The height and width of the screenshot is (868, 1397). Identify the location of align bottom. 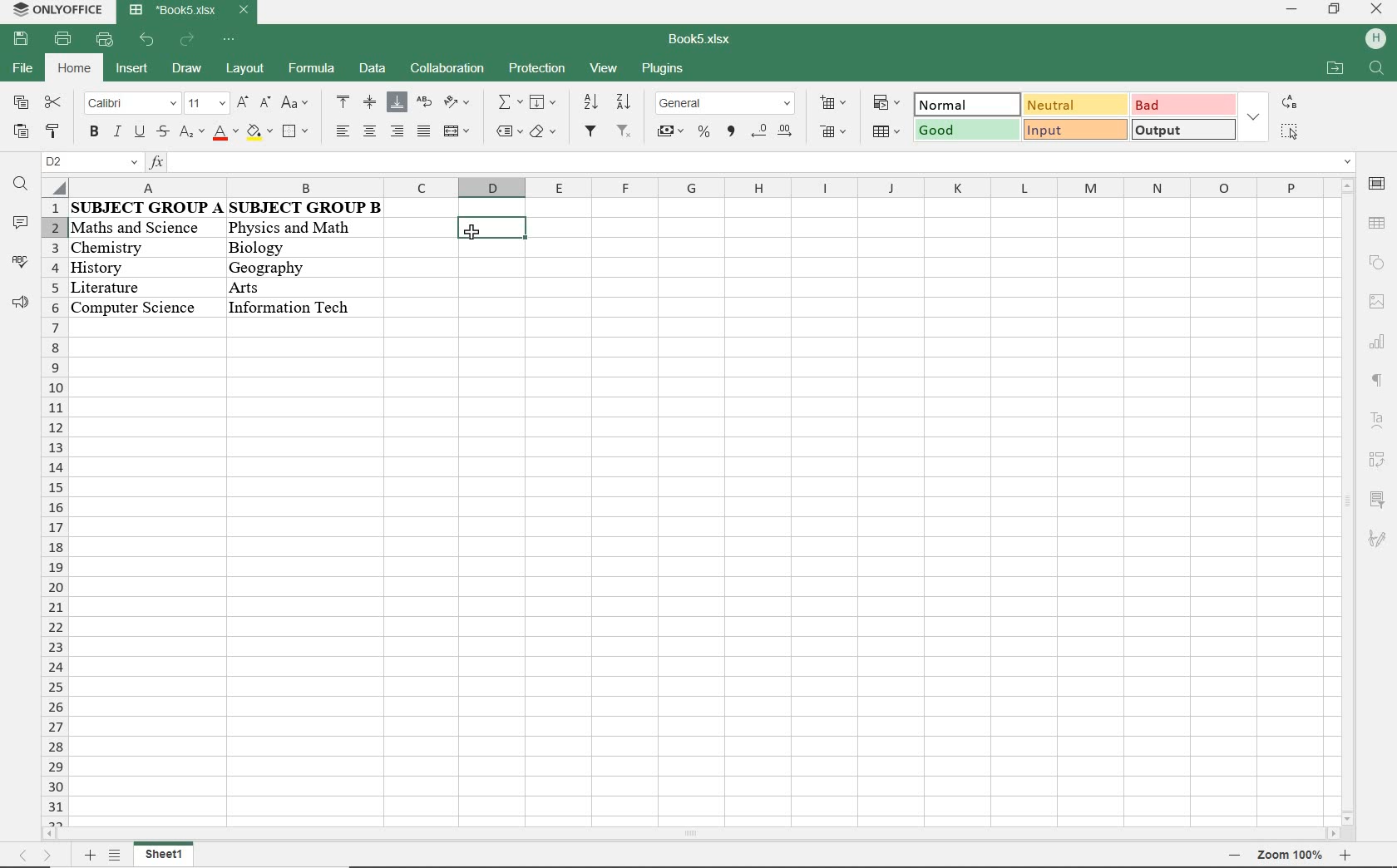
(397, 104).